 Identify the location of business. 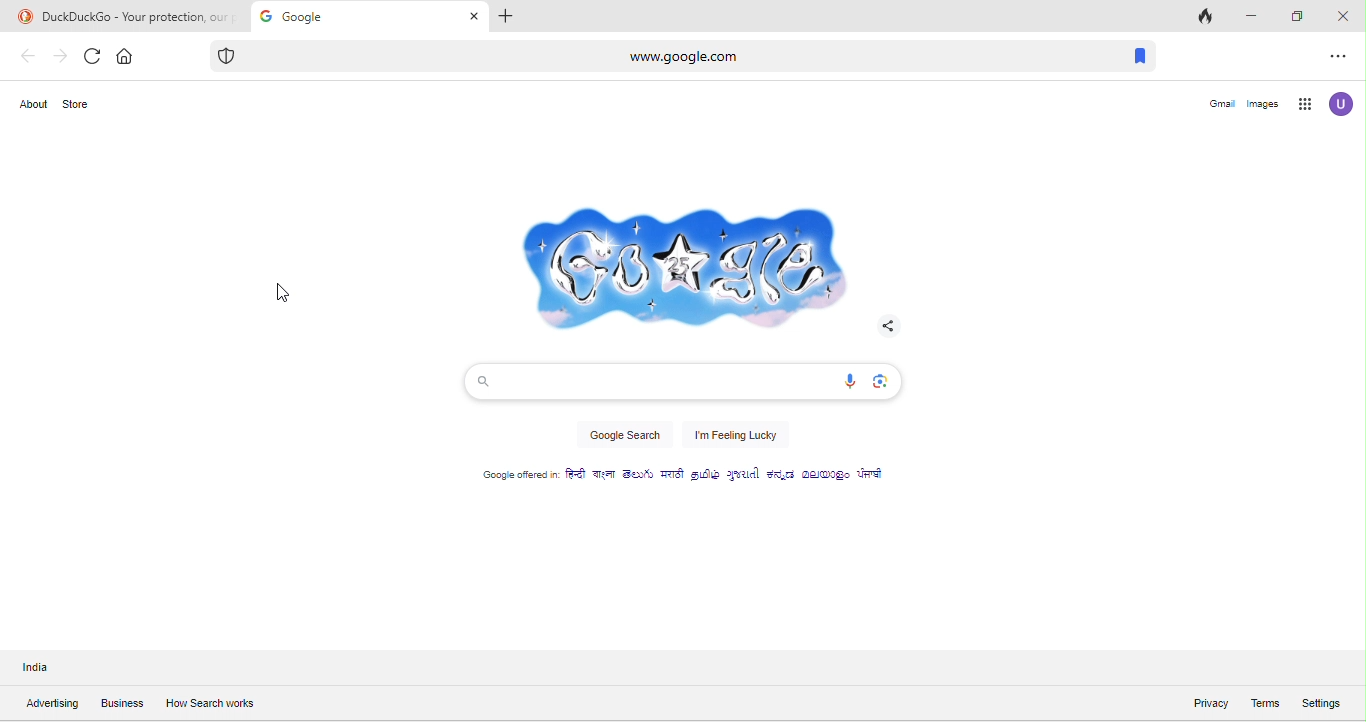
(122, 705).